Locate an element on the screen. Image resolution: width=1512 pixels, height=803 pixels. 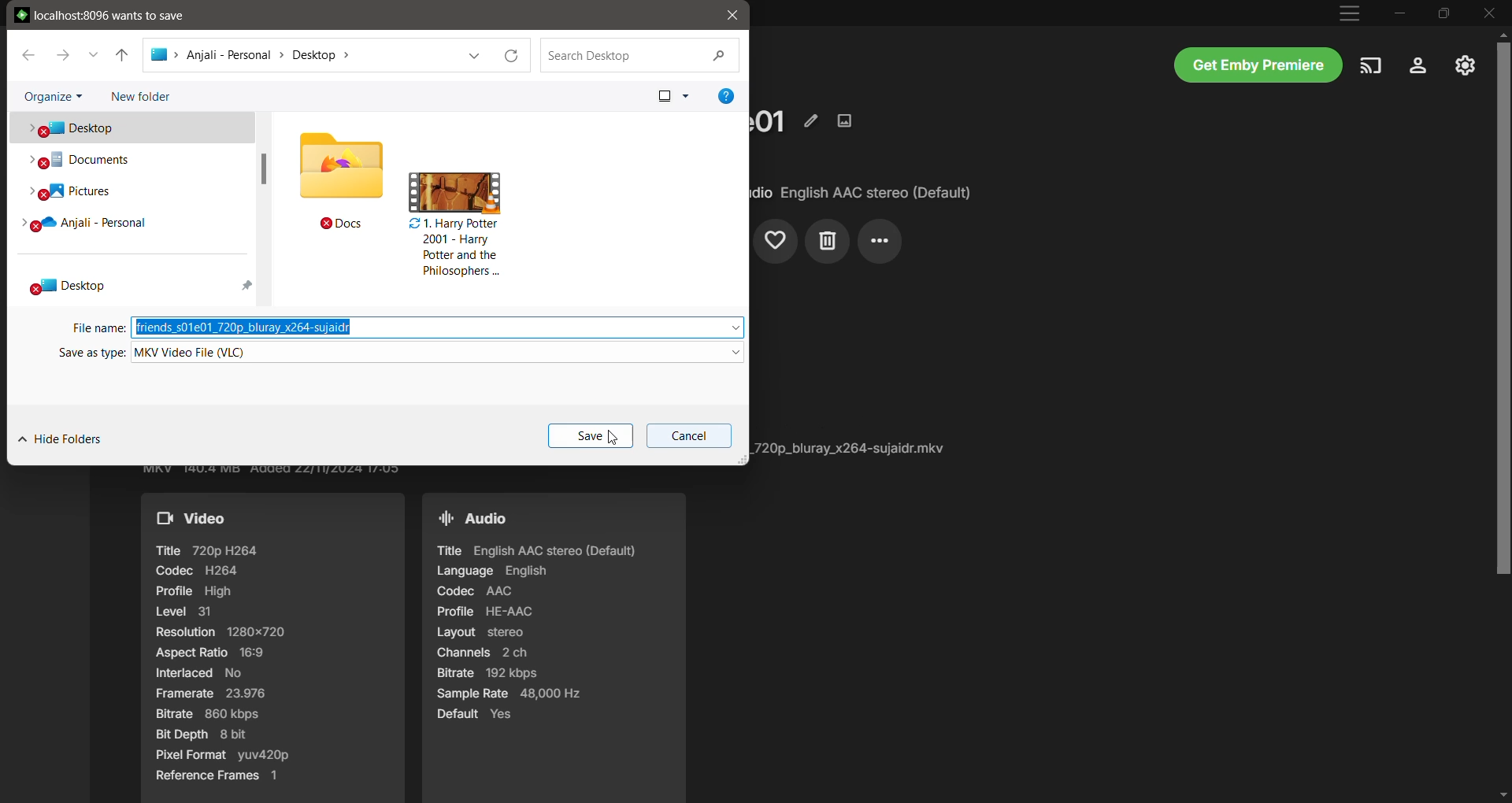
Desktop is located at coordinates (132, 284).